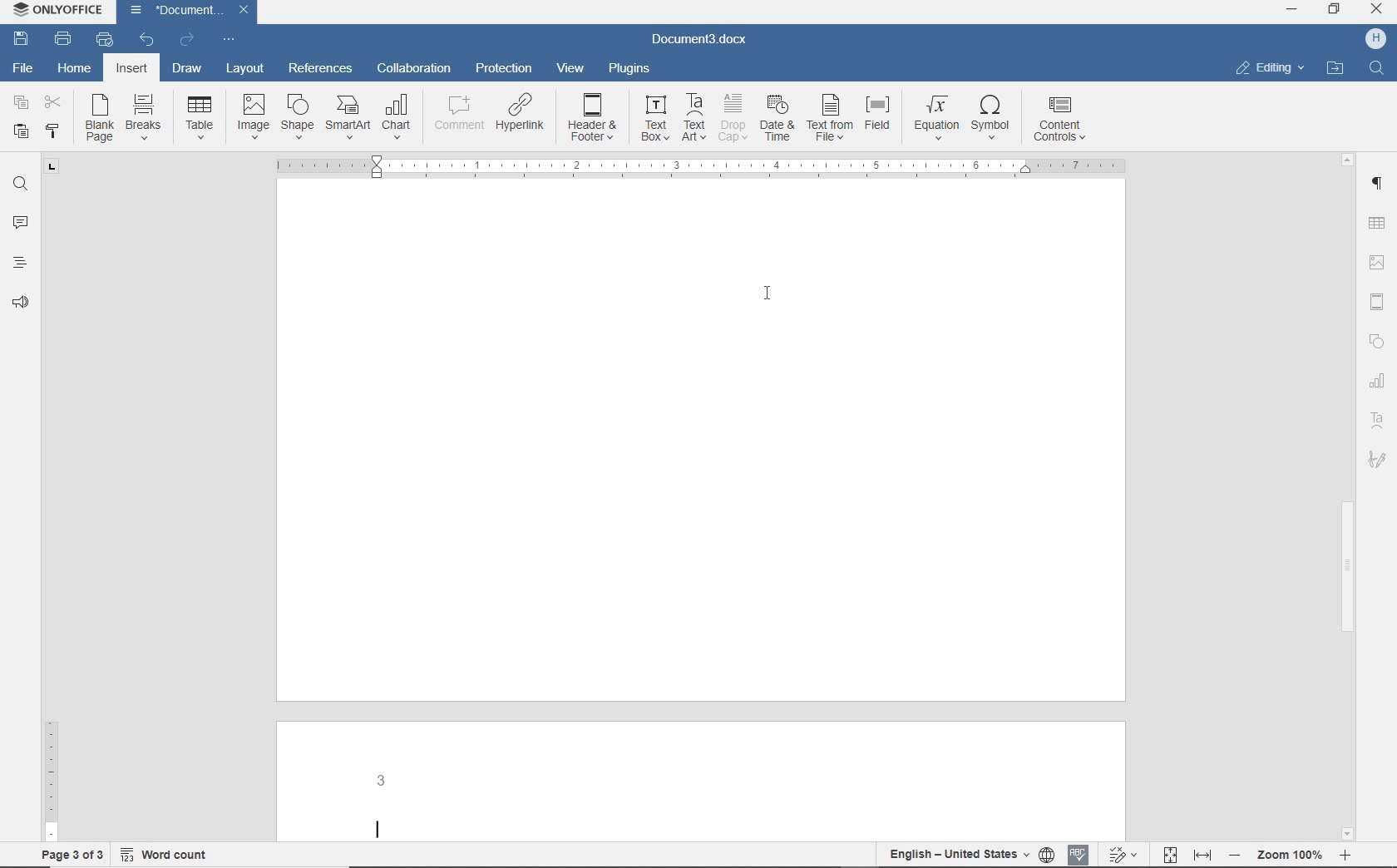  Describe the element at coordinates (297, 119) in the screenshot. I see `SHAPE` at that location.